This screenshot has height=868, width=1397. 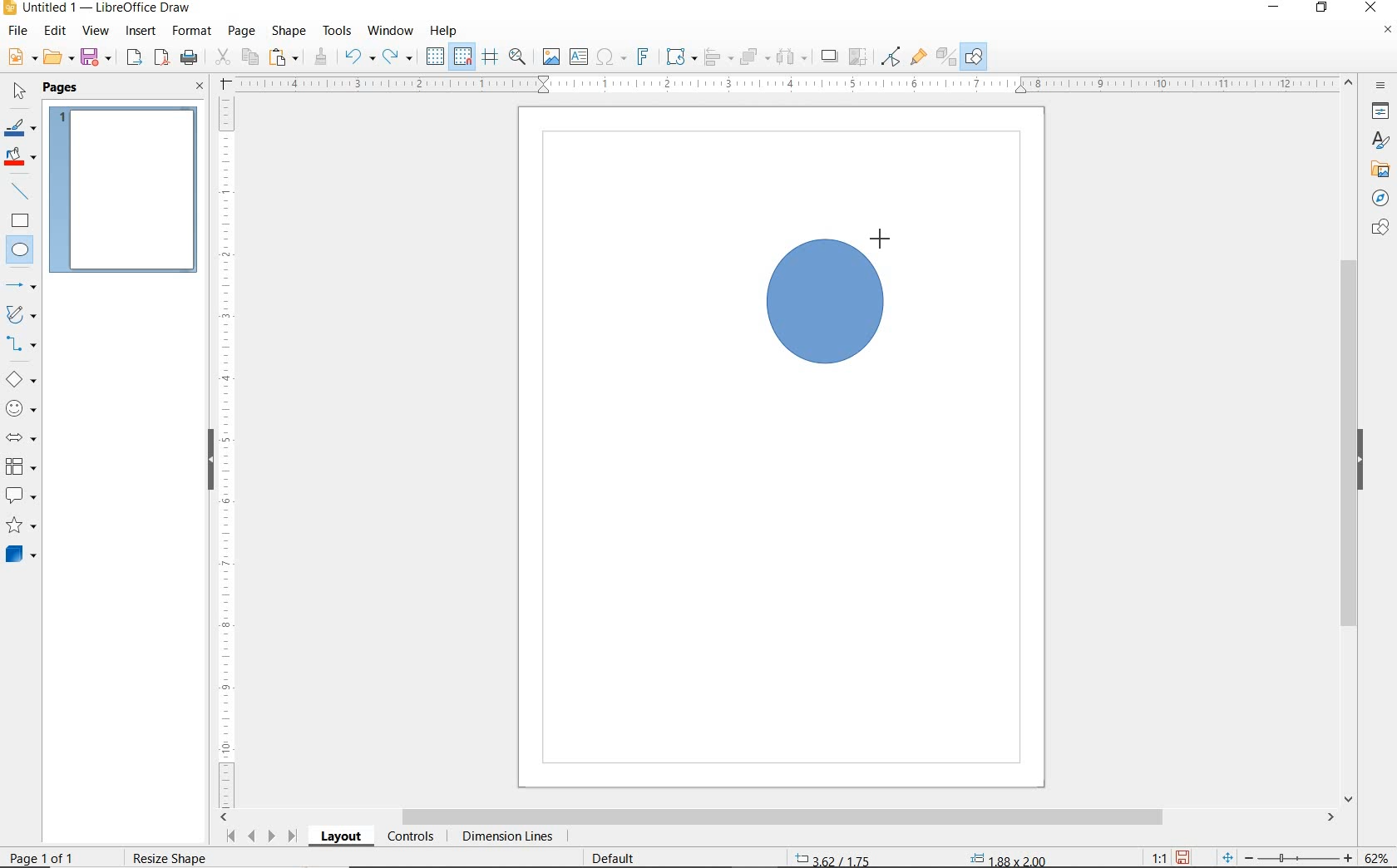 I want to click on CROP IMAGE, so click(x=857, y=57).